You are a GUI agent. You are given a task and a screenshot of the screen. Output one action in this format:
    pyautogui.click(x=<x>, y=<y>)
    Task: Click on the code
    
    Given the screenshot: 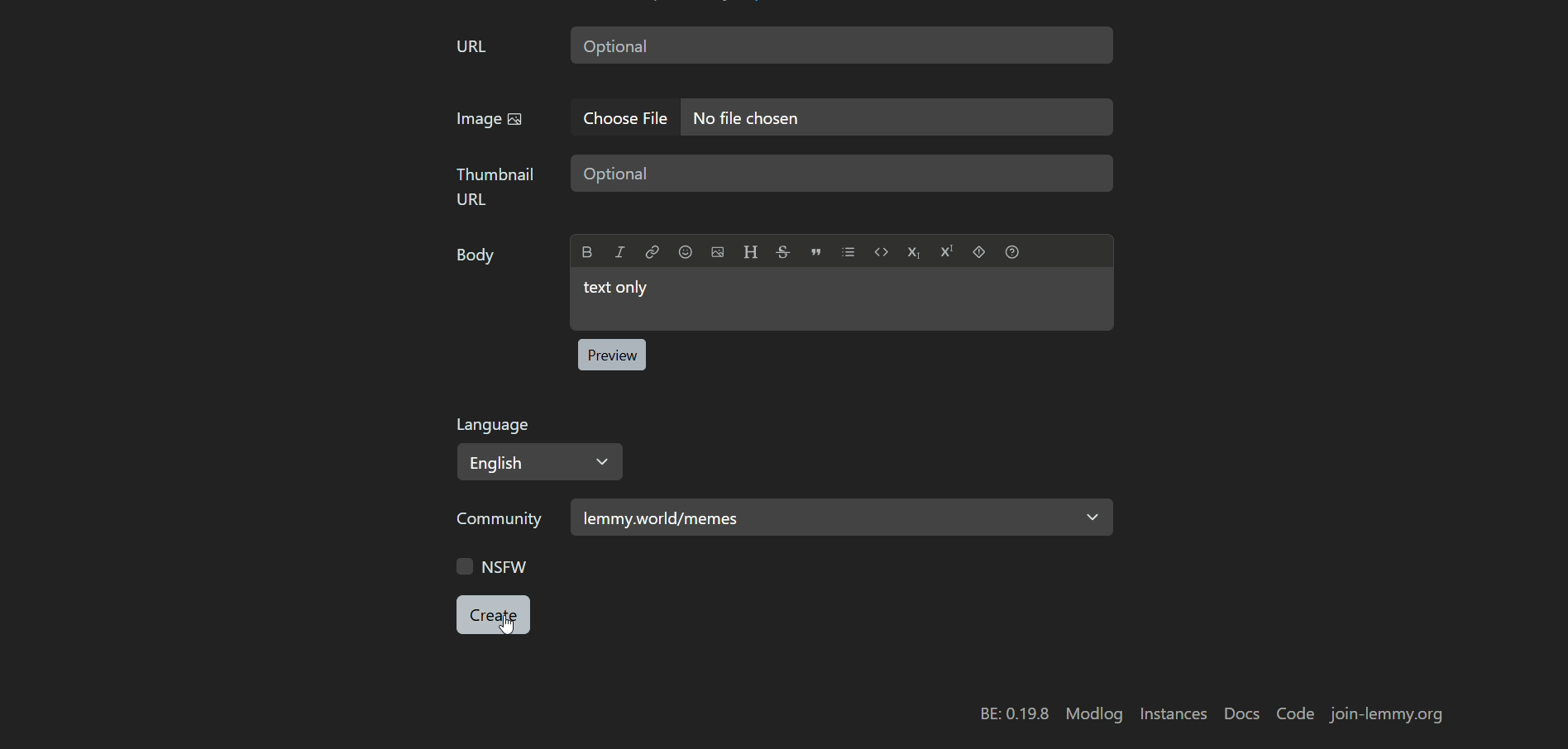 What is the action you would take?
    pyautogui.click(x=1298, y=715)
    